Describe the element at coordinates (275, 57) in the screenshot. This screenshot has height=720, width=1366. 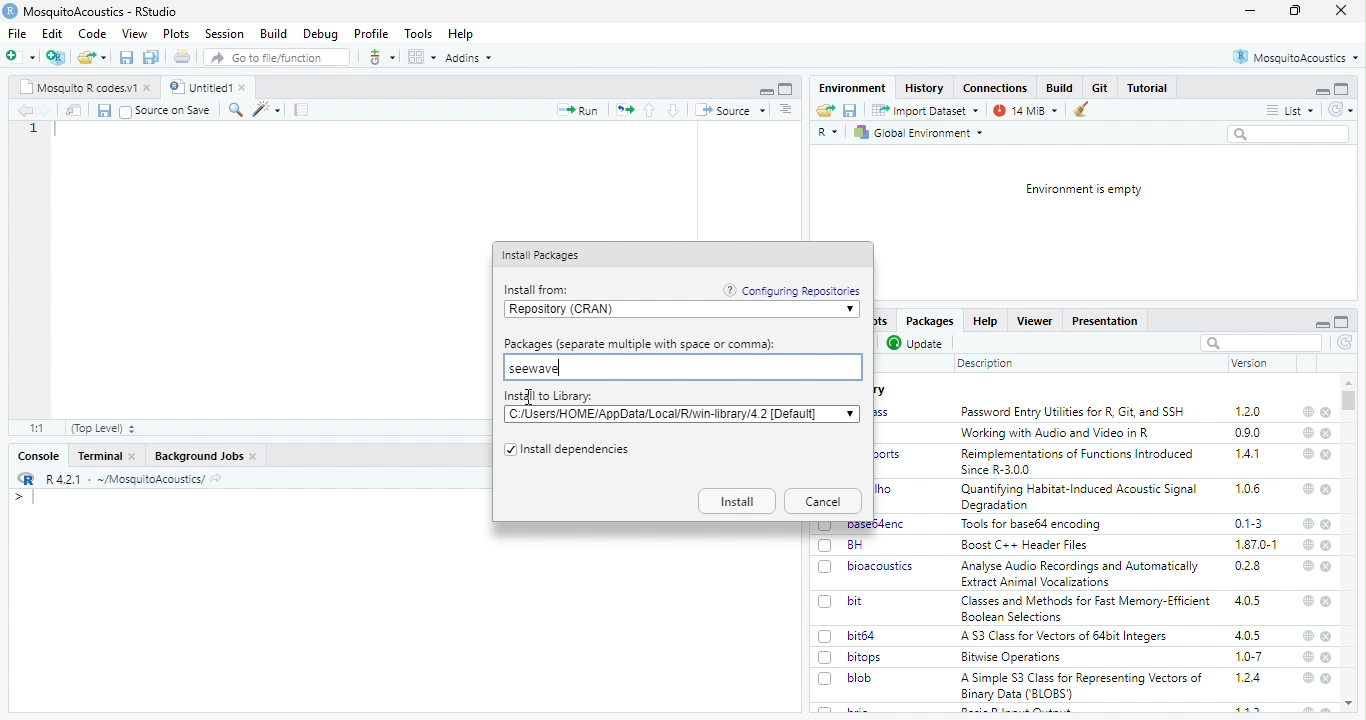
I see `Go to file/function` at that location.